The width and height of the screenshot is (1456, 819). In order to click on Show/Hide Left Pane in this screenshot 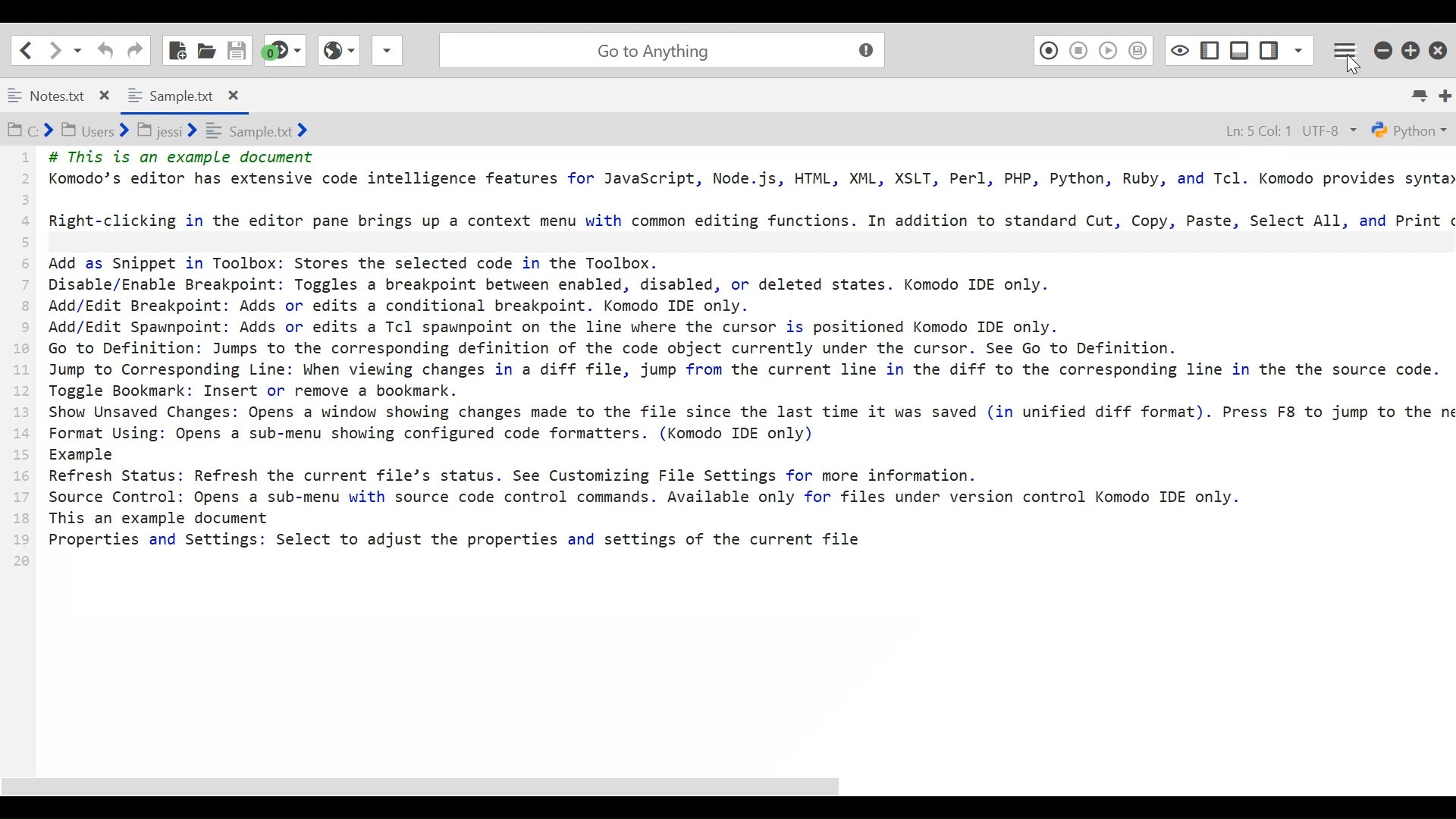, I will do `click(1269, 49)`.